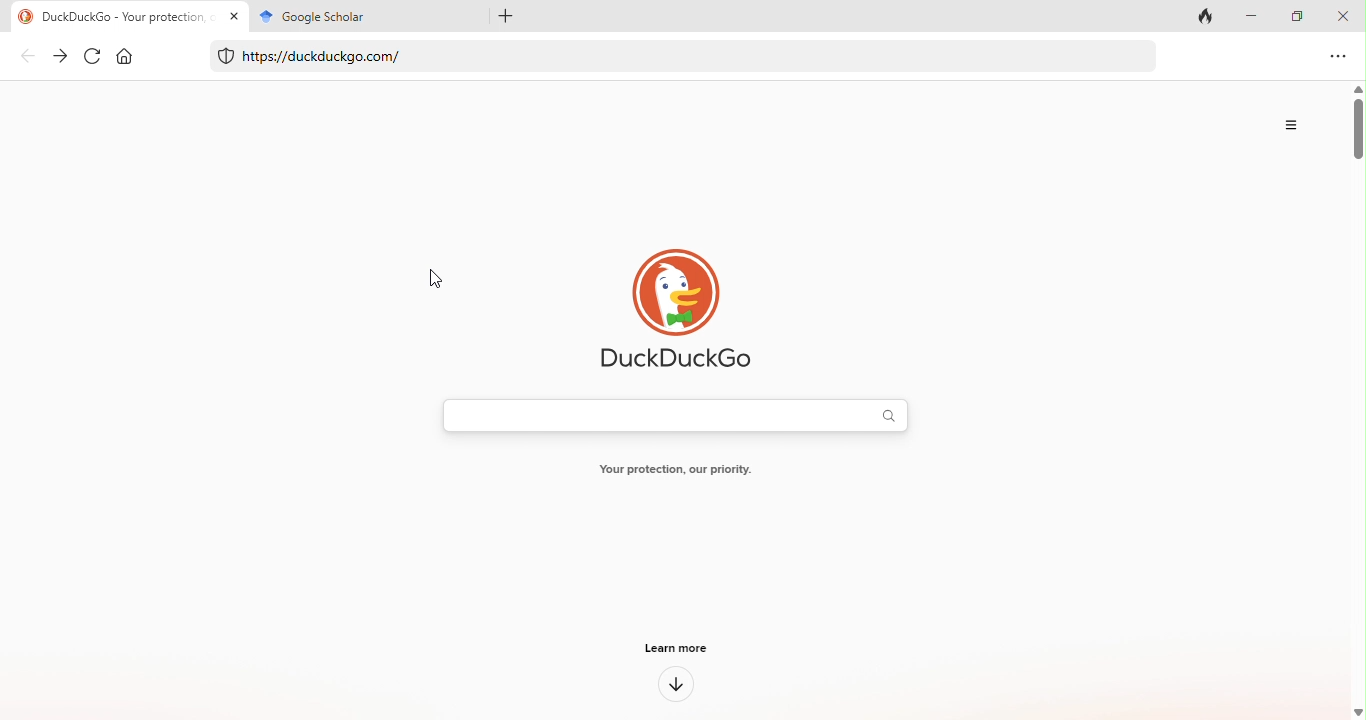  I want to click on move up, so click(1357, 88).